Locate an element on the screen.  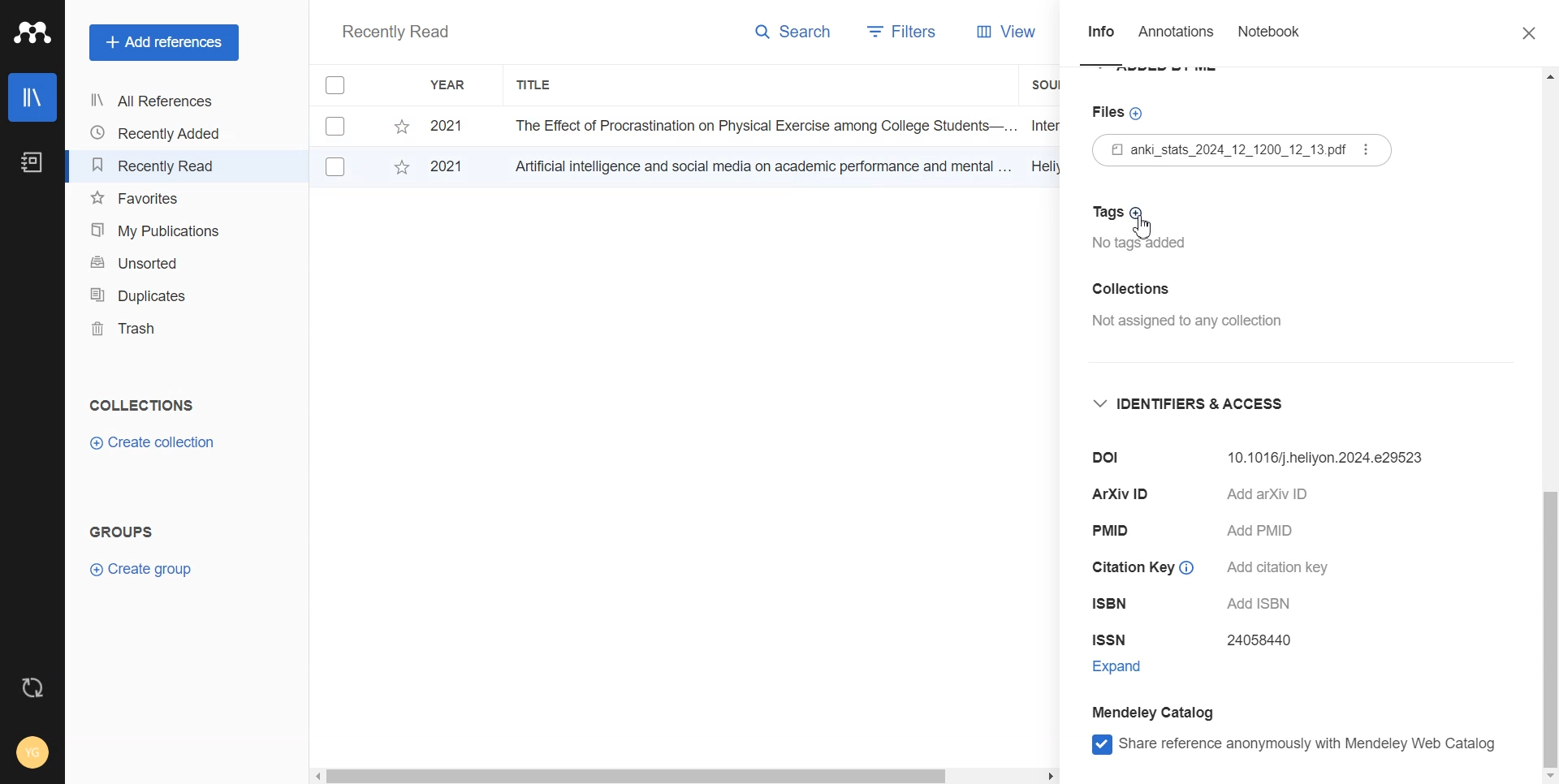
No tags added is located at coordinates (1138, 245).